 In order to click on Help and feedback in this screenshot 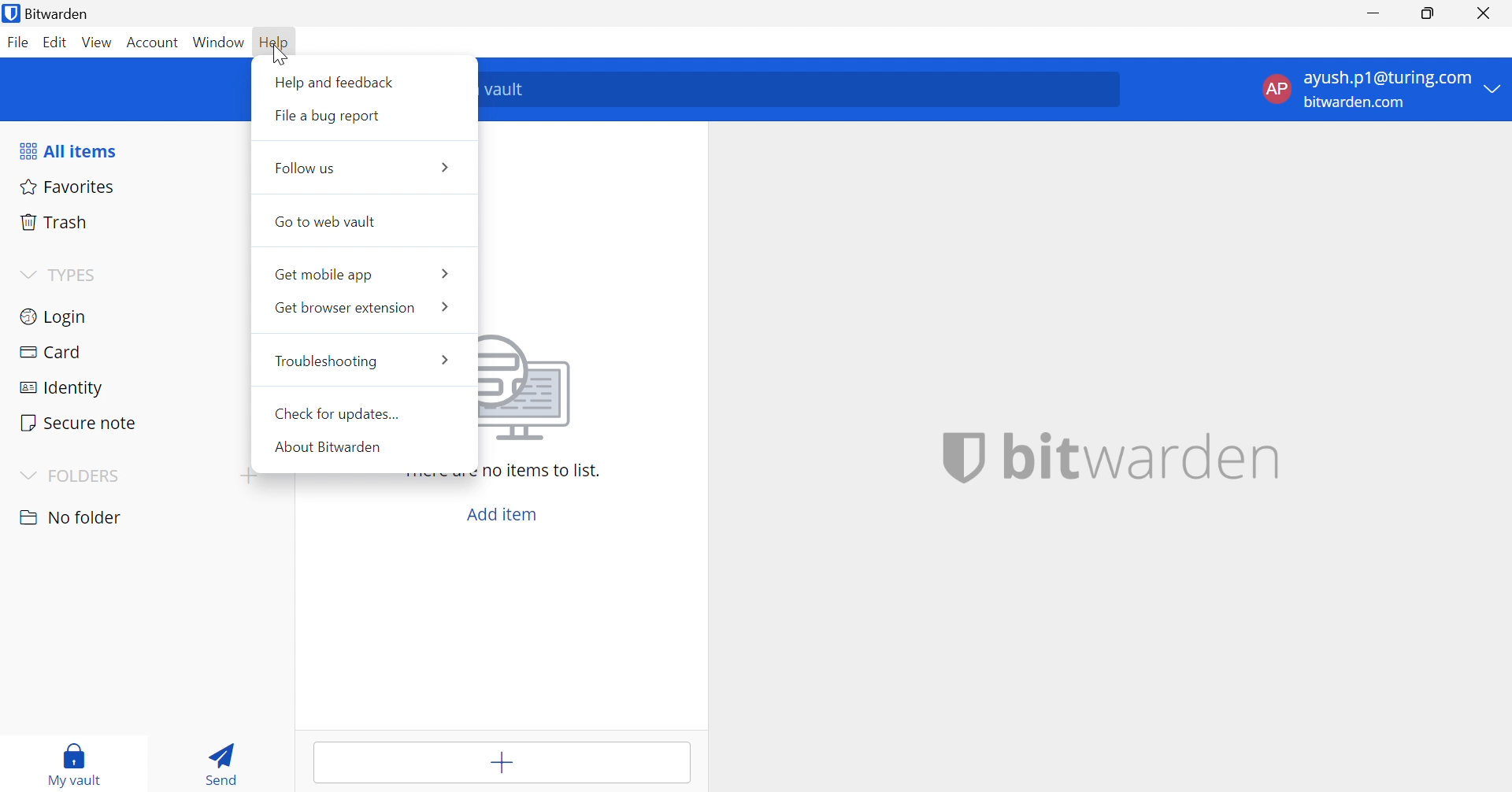, I will do `click(361, 80)`.